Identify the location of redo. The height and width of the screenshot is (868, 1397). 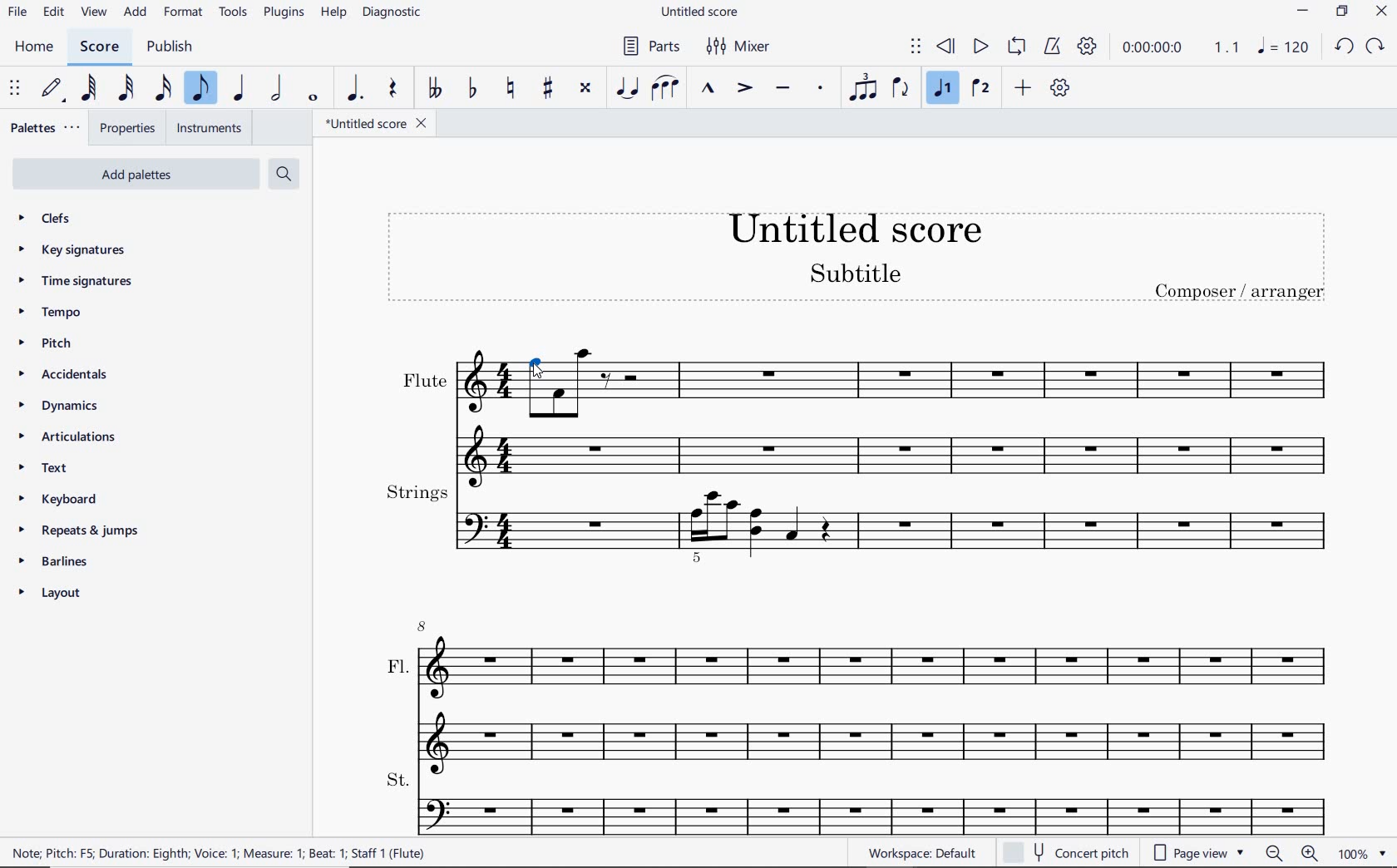
(1376, 47).